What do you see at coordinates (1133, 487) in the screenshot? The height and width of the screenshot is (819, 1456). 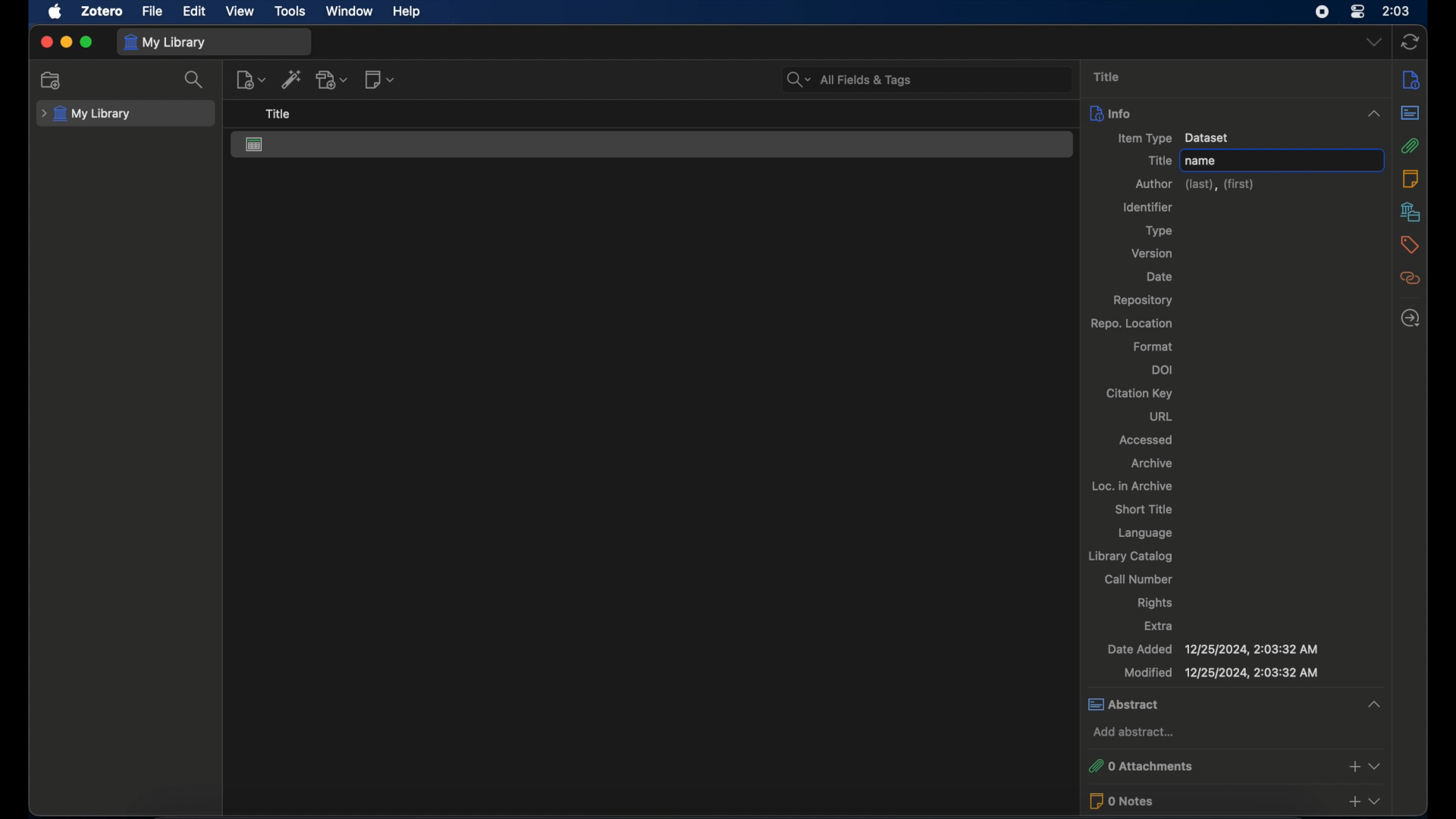 I see `loc. in archive` at bounding box center [1133, 487].